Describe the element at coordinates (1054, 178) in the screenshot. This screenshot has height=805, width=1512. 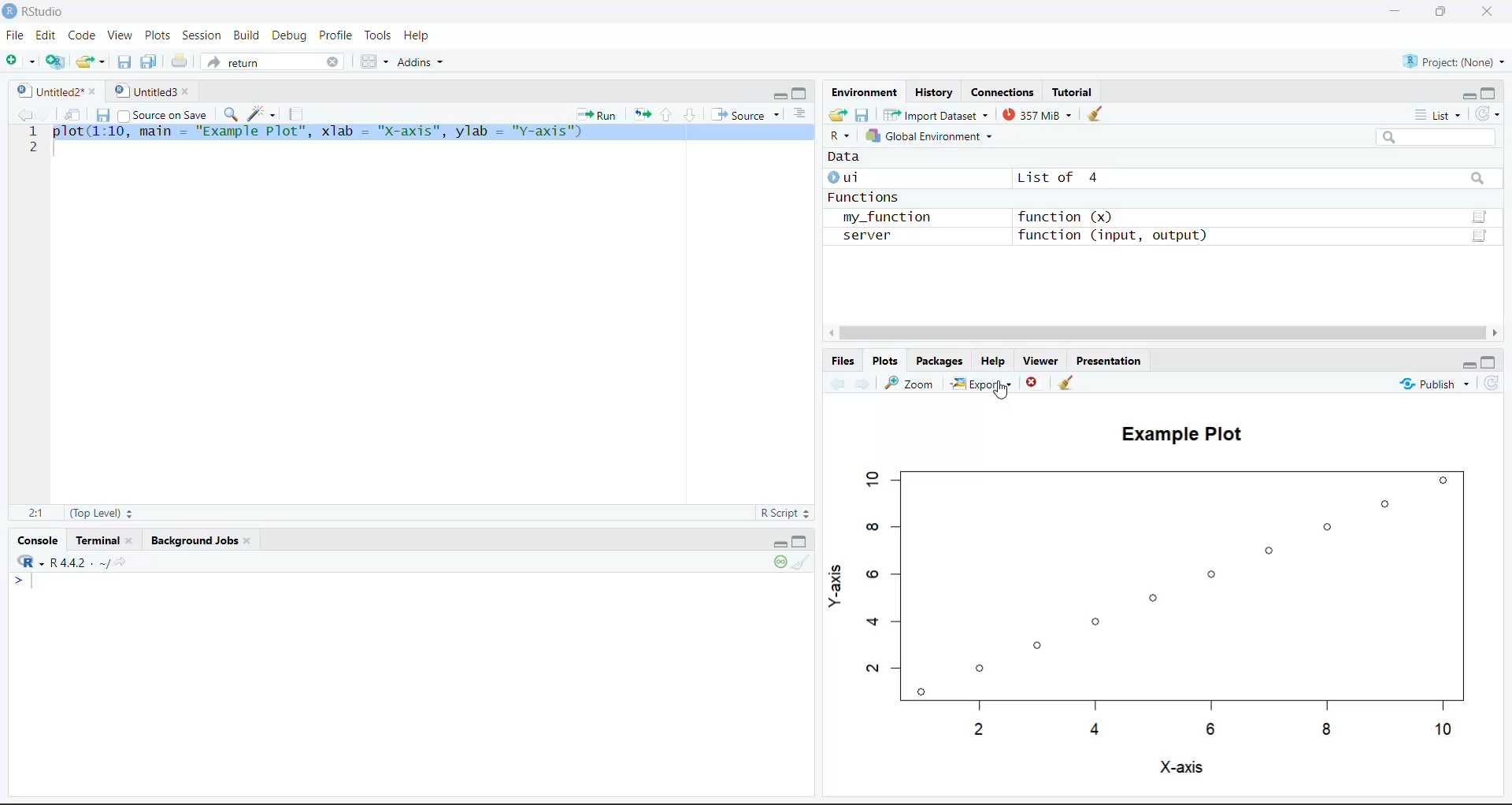
I see `List of 4` at that location.